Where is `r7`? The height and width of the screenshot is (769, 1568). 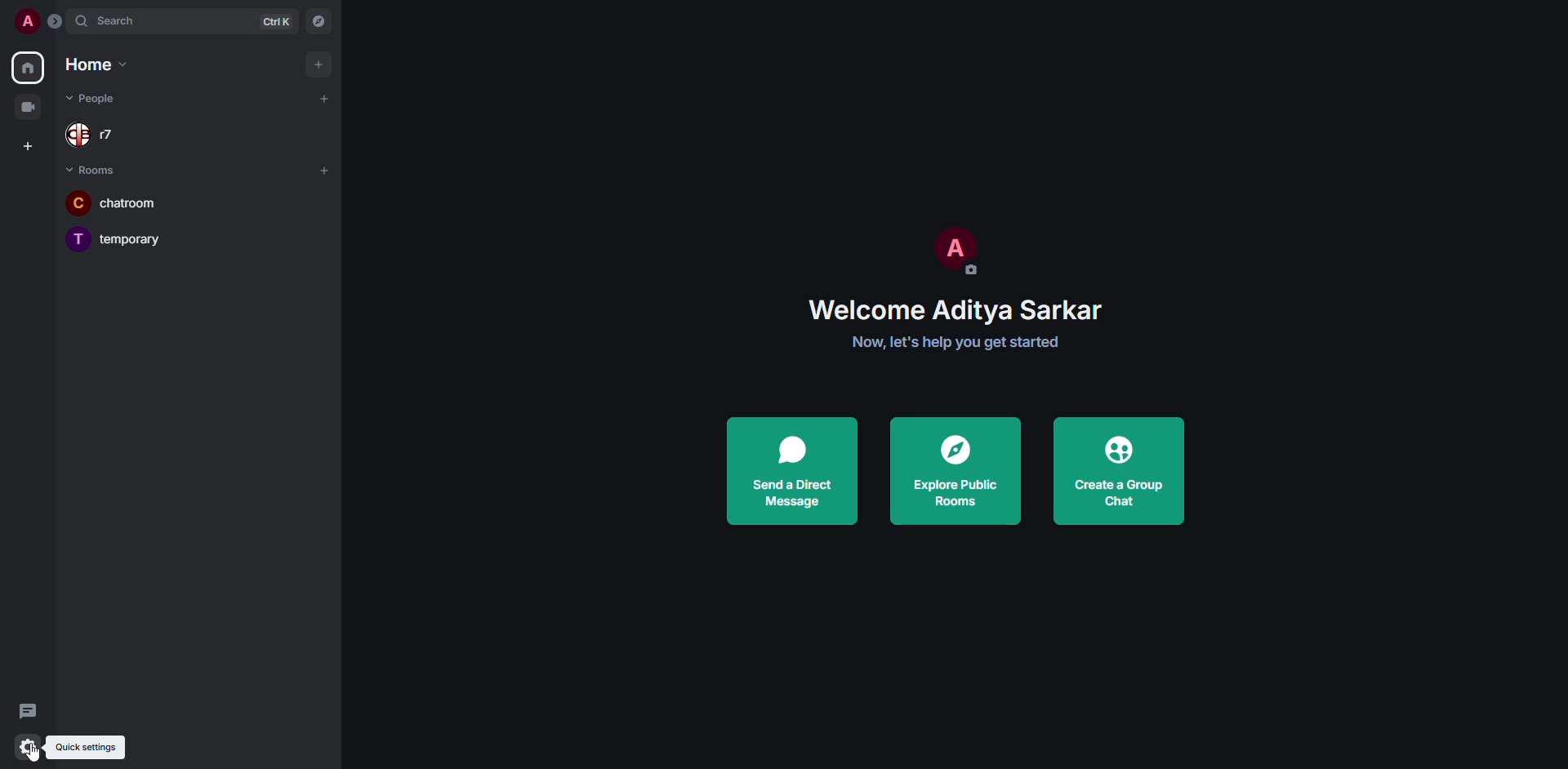 r7 is located at coordinates (96, 136).